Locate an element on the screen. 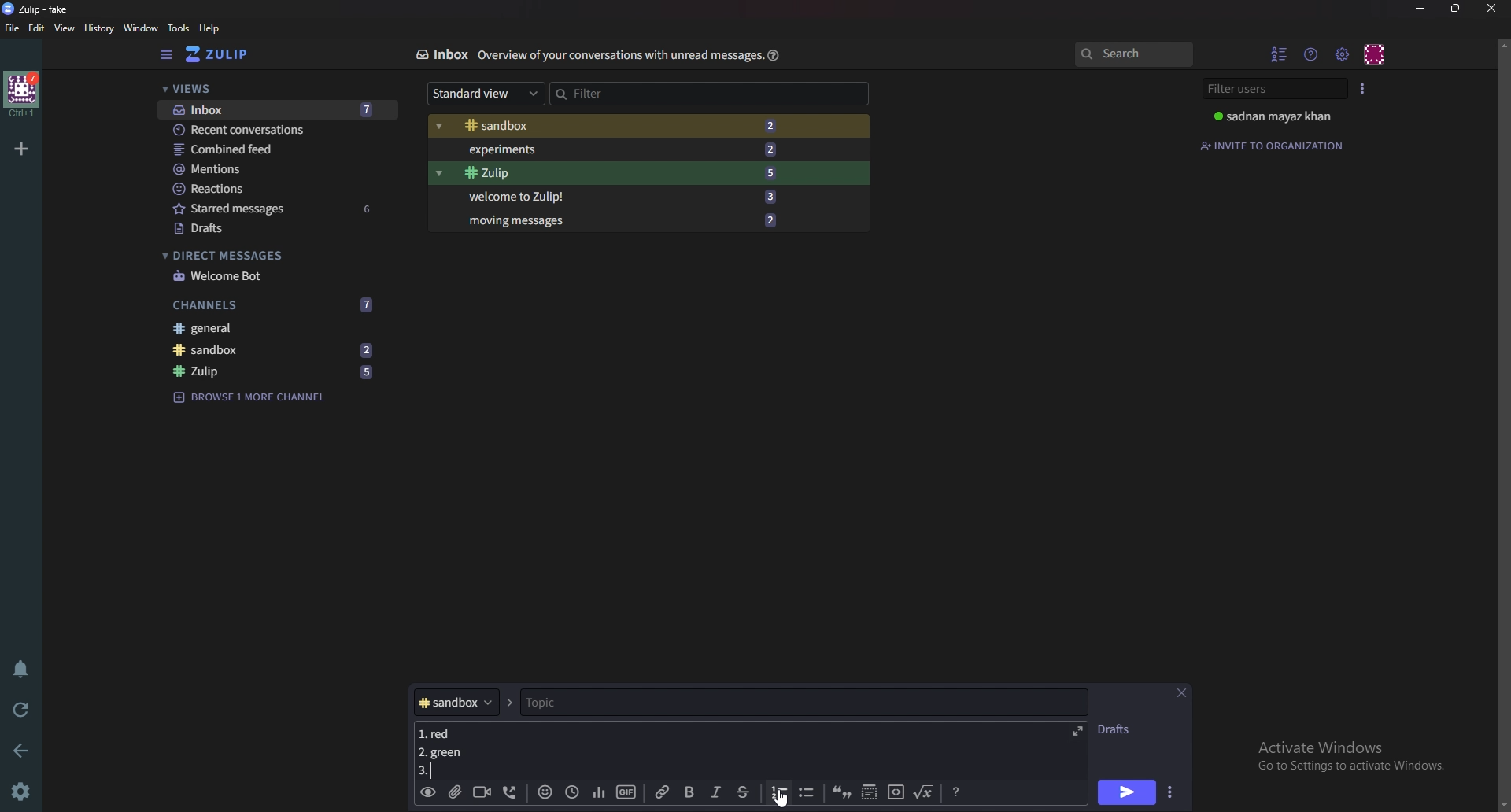  Bullet list is located at coordinates (806, 793).